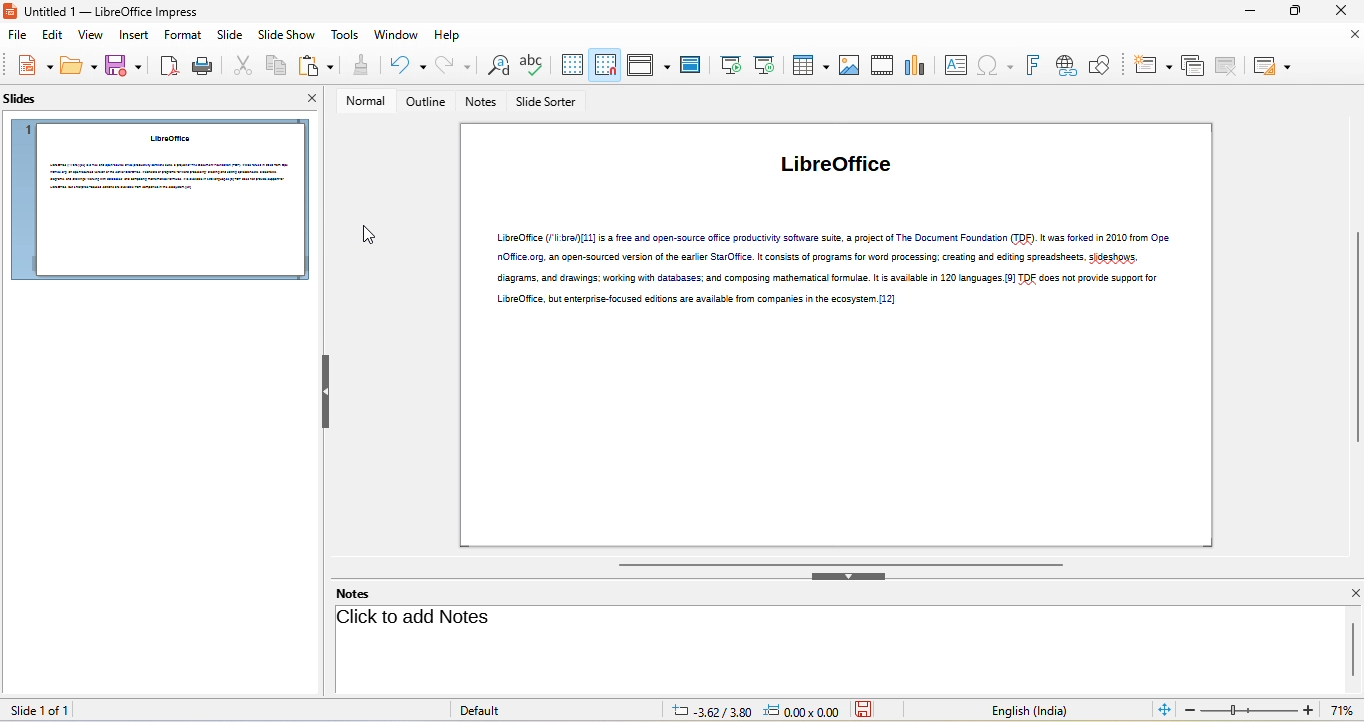 This screenshot has height=722, width=1364. Describe the element at coordinates (832, 237) in the screenshot. I see `LibreOffice (li braV)[11] is a free and open-source office productivity software suite, a project of The Document Foundation (TDF). It was forked in 2010 from Ope` at that location.